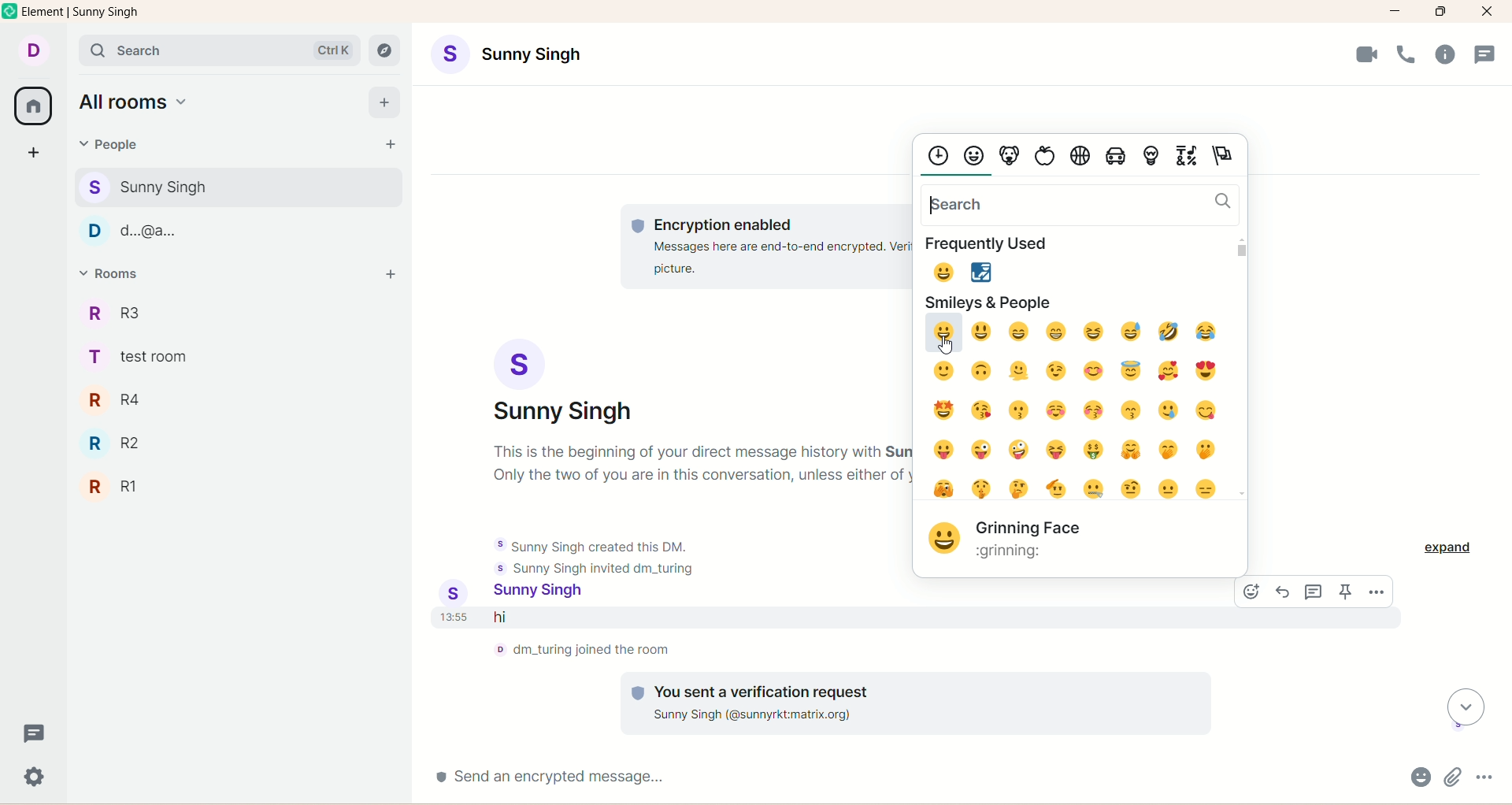  I want to click on attachments, so click(1453, 777).